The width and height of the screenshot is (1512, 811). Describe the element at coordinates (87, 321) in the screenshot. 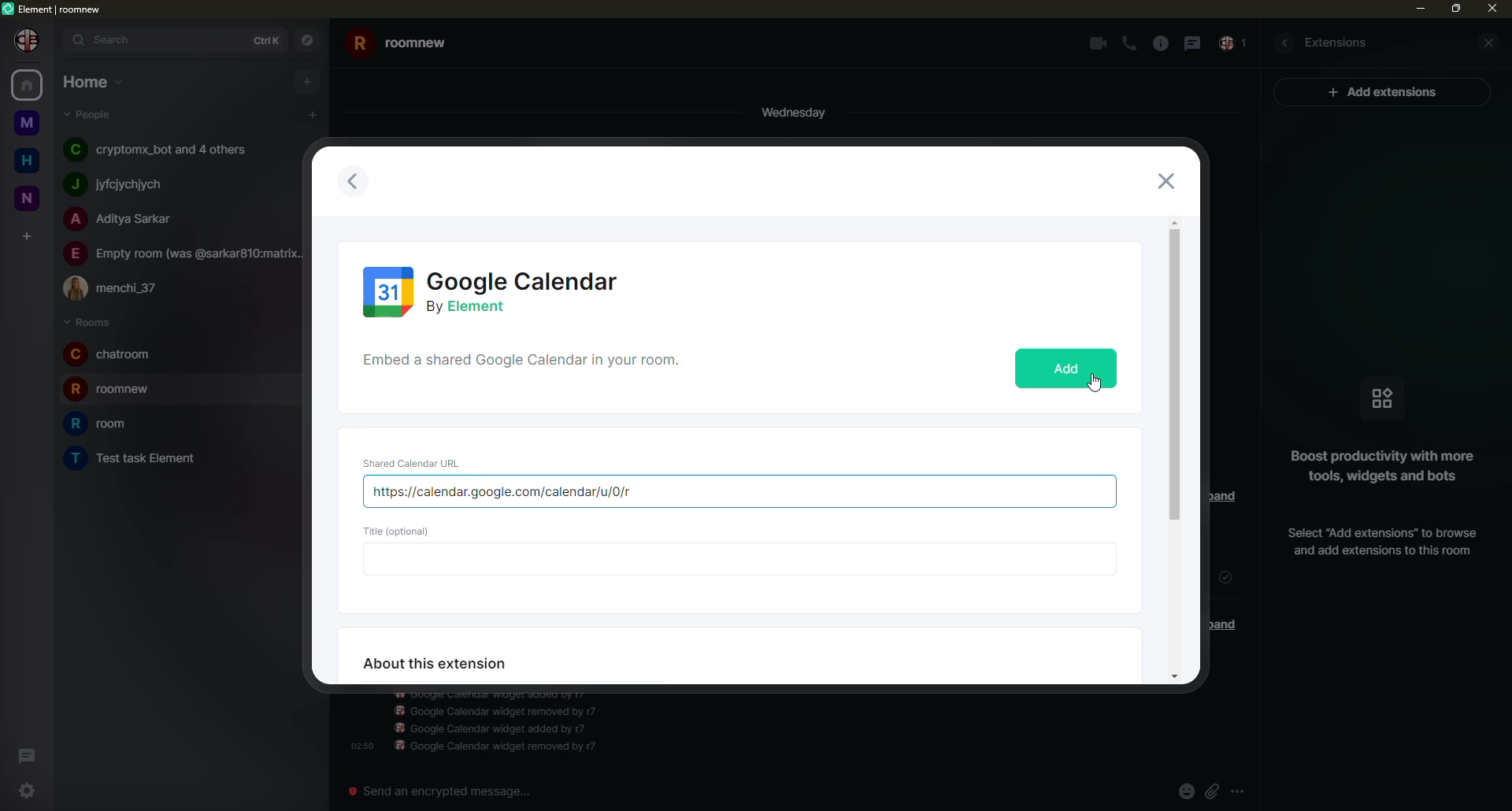

I see `rooms` at that location.